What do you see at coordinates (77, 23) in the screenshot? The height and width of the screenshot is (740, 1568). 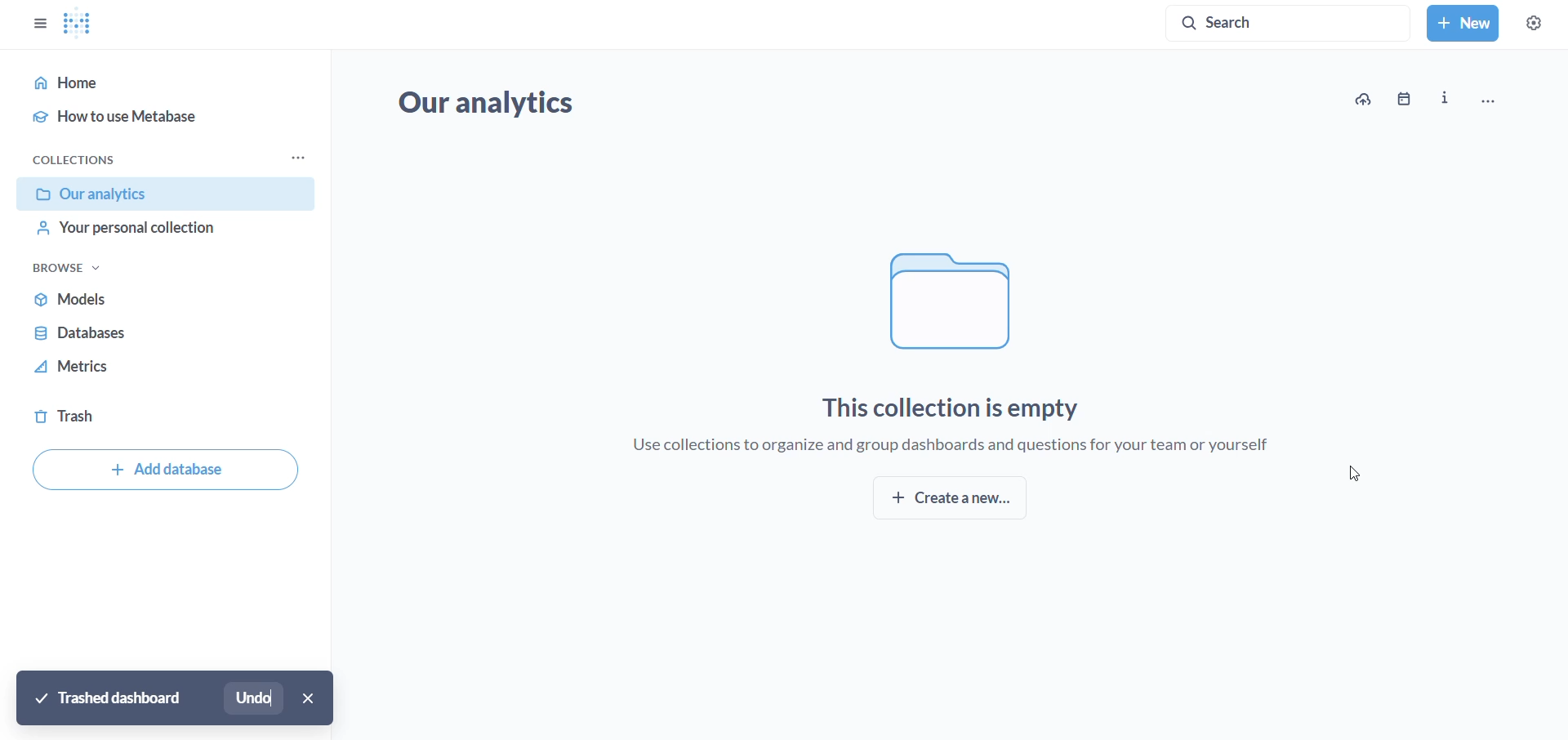 I see `metabase logo` at bounding box center [77, 23].